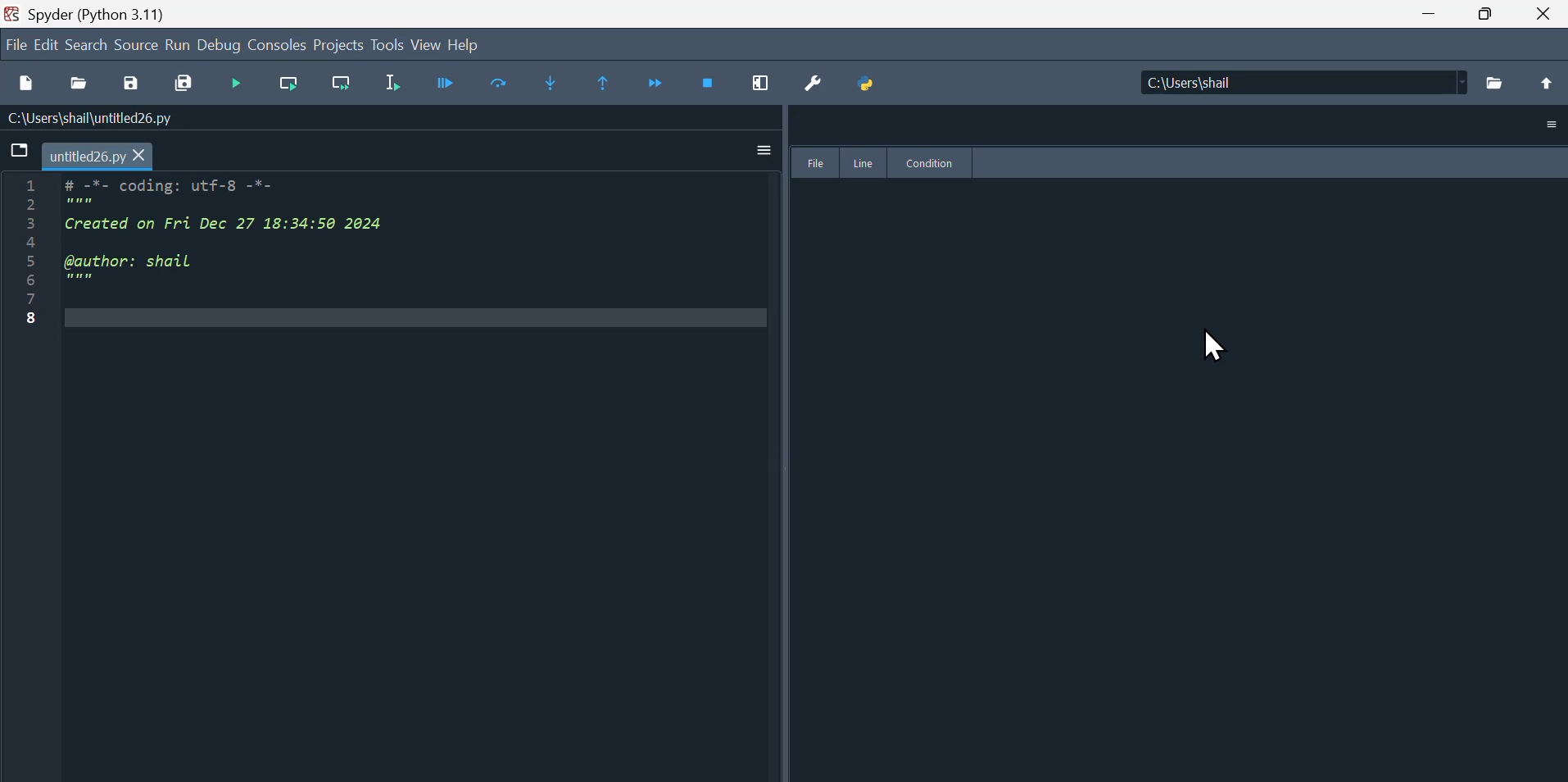  What do you see at coordinates (135, 85) in the screenshot?
I see `` at bounding box center [135, 85].